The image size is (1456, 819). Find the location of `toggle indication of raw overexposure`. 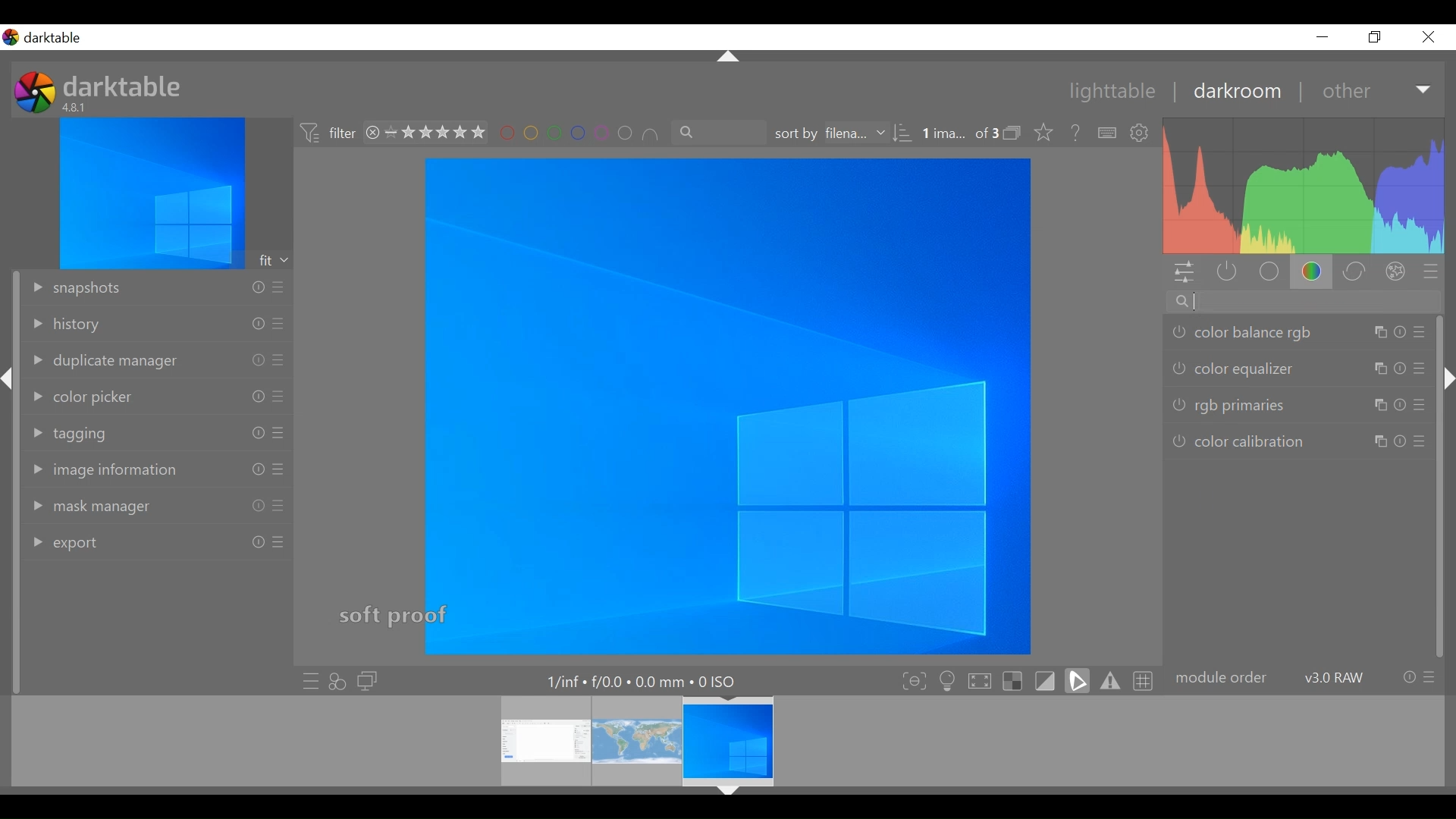

toggle indication of raw overexposure is located at coordinates (1012, 679).